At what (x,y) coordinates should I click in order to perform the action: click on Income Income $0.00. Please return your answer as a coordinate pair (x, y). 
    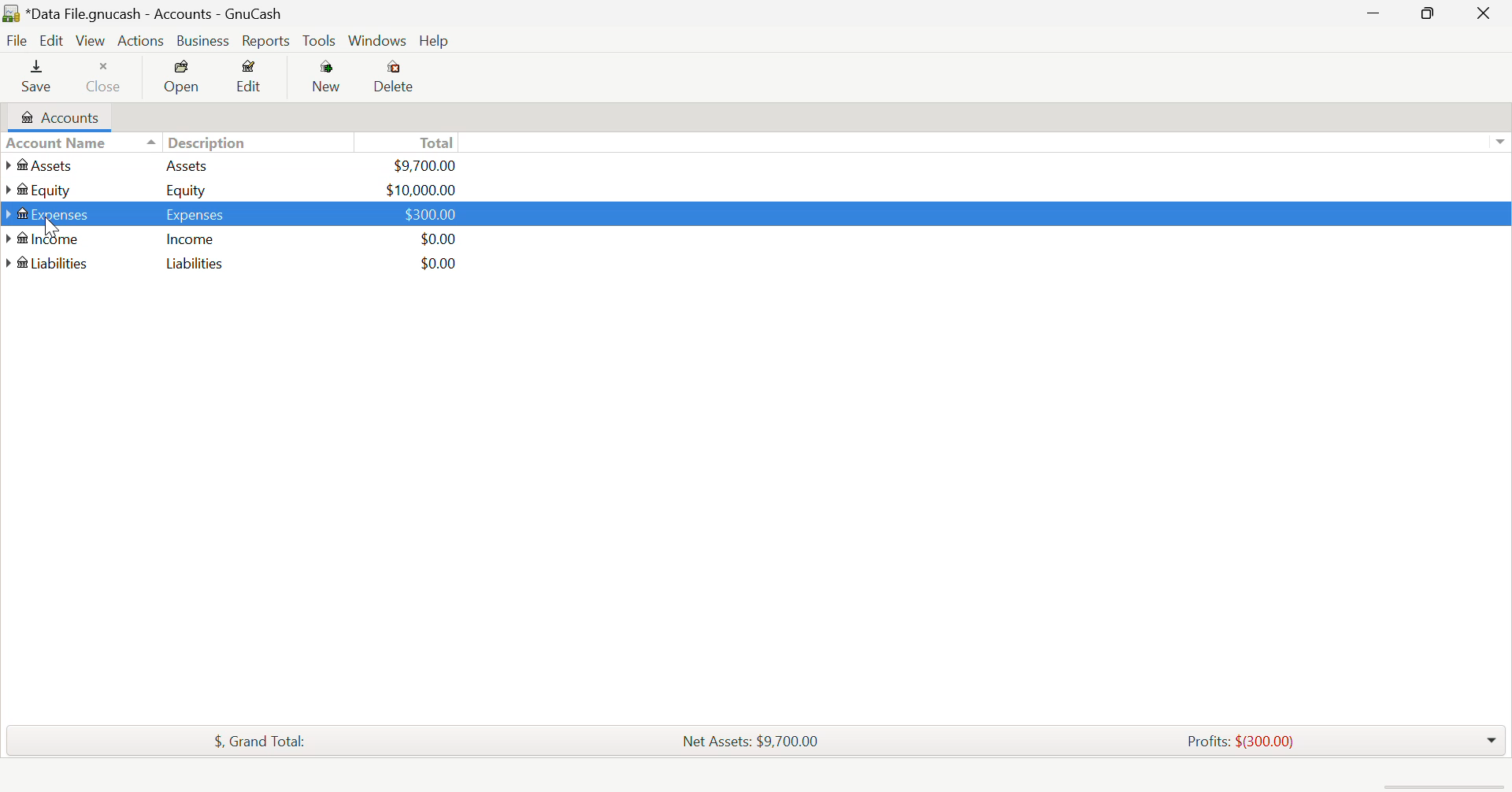
    Looking at the image, I should click on (232, 239).